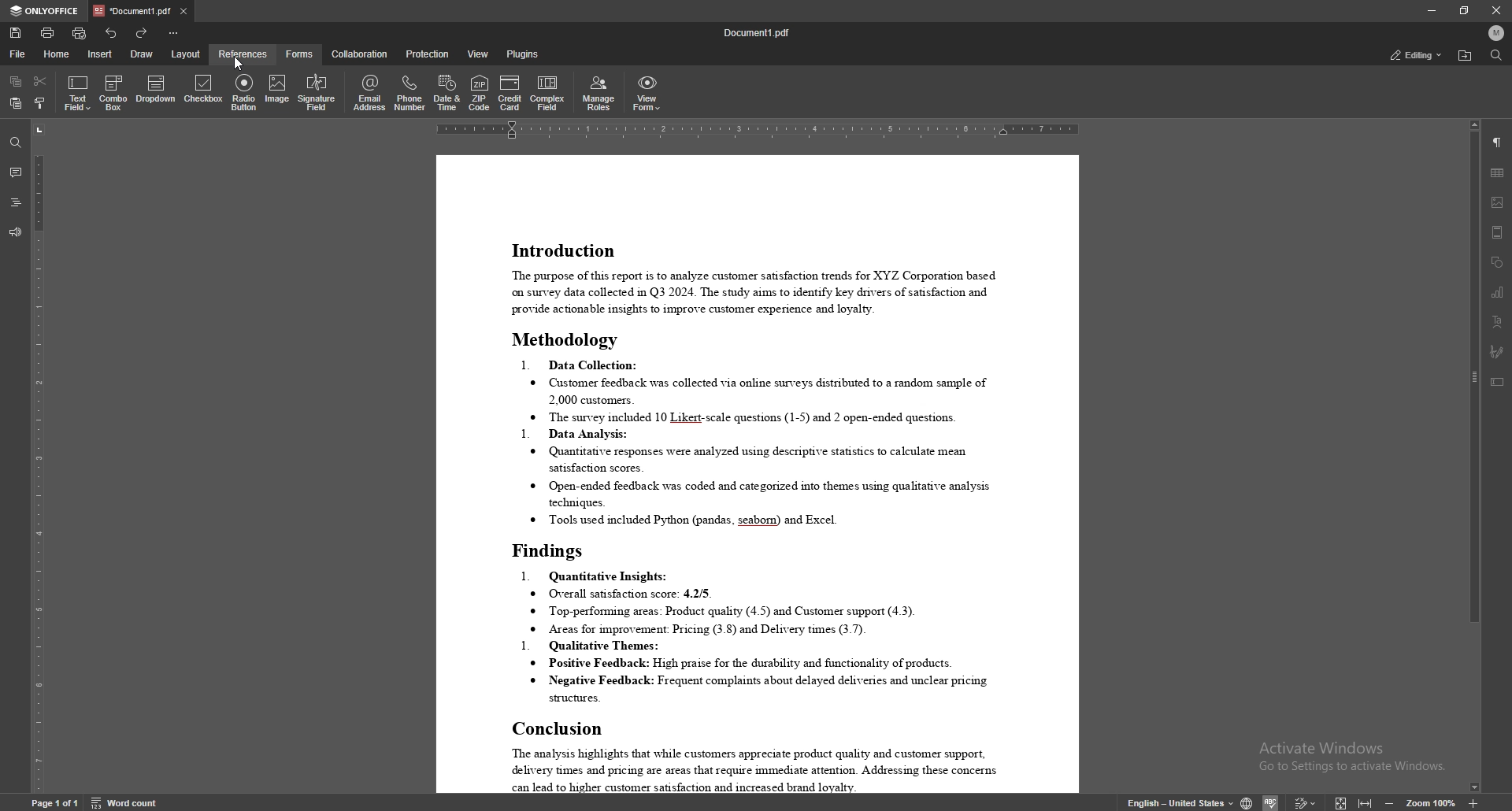  What do you see at coordinates (1463, 10) in the screenshot?
I see `resize` at bounding box center [1463, 10].